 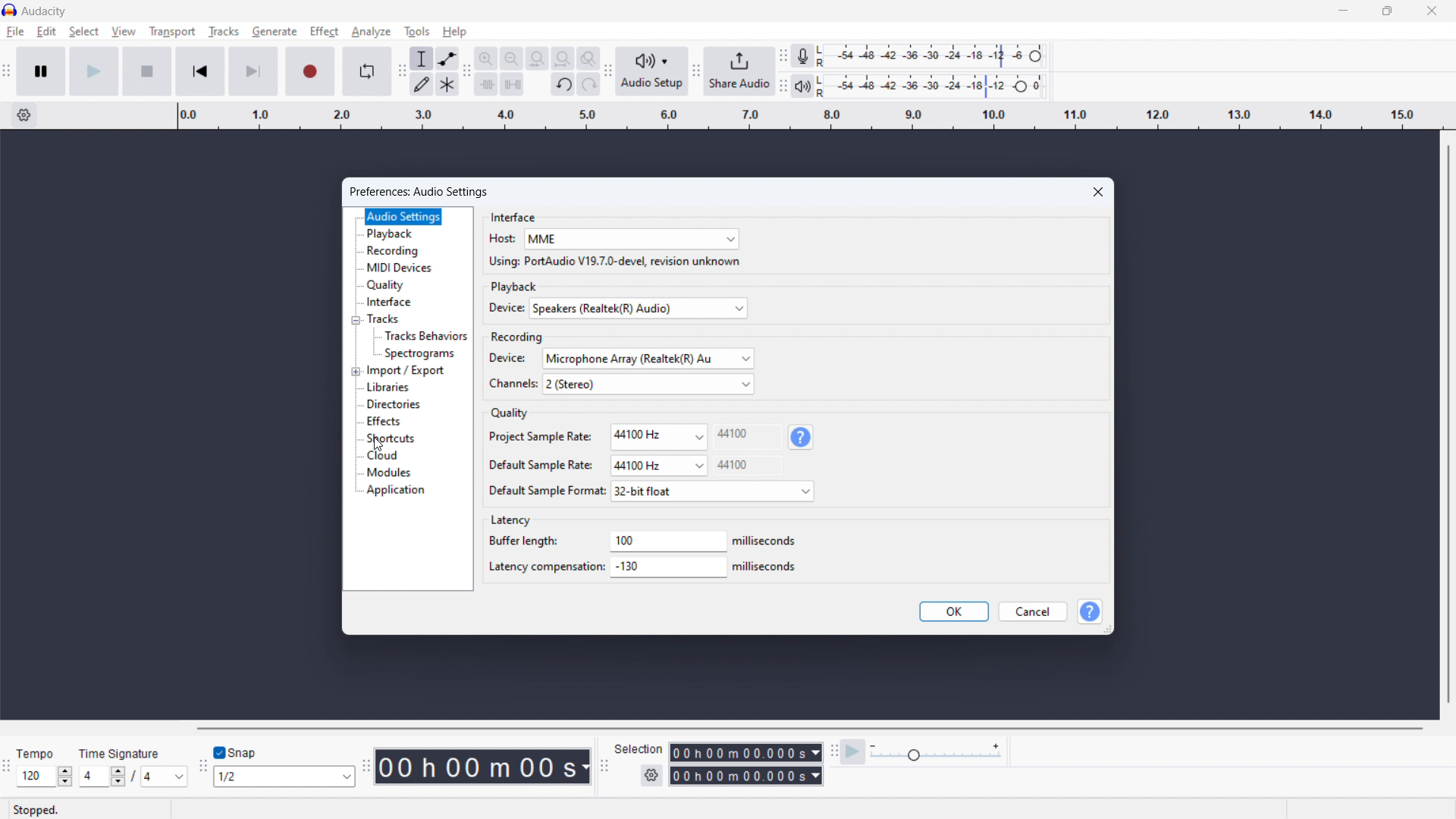 I want to click on Space for navigating recorded tracks, so click(x=171, y=425).